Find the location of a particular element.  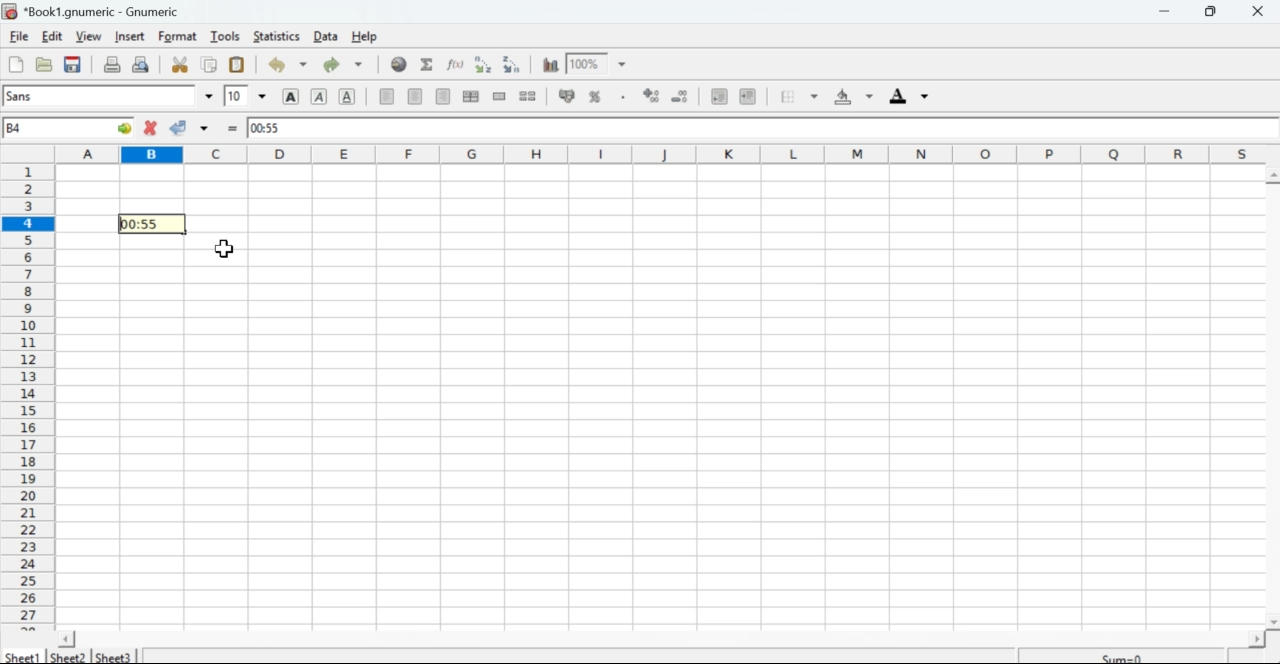

*Book1.gnumeric - Gnumeric is located at coordinates (107, 11).